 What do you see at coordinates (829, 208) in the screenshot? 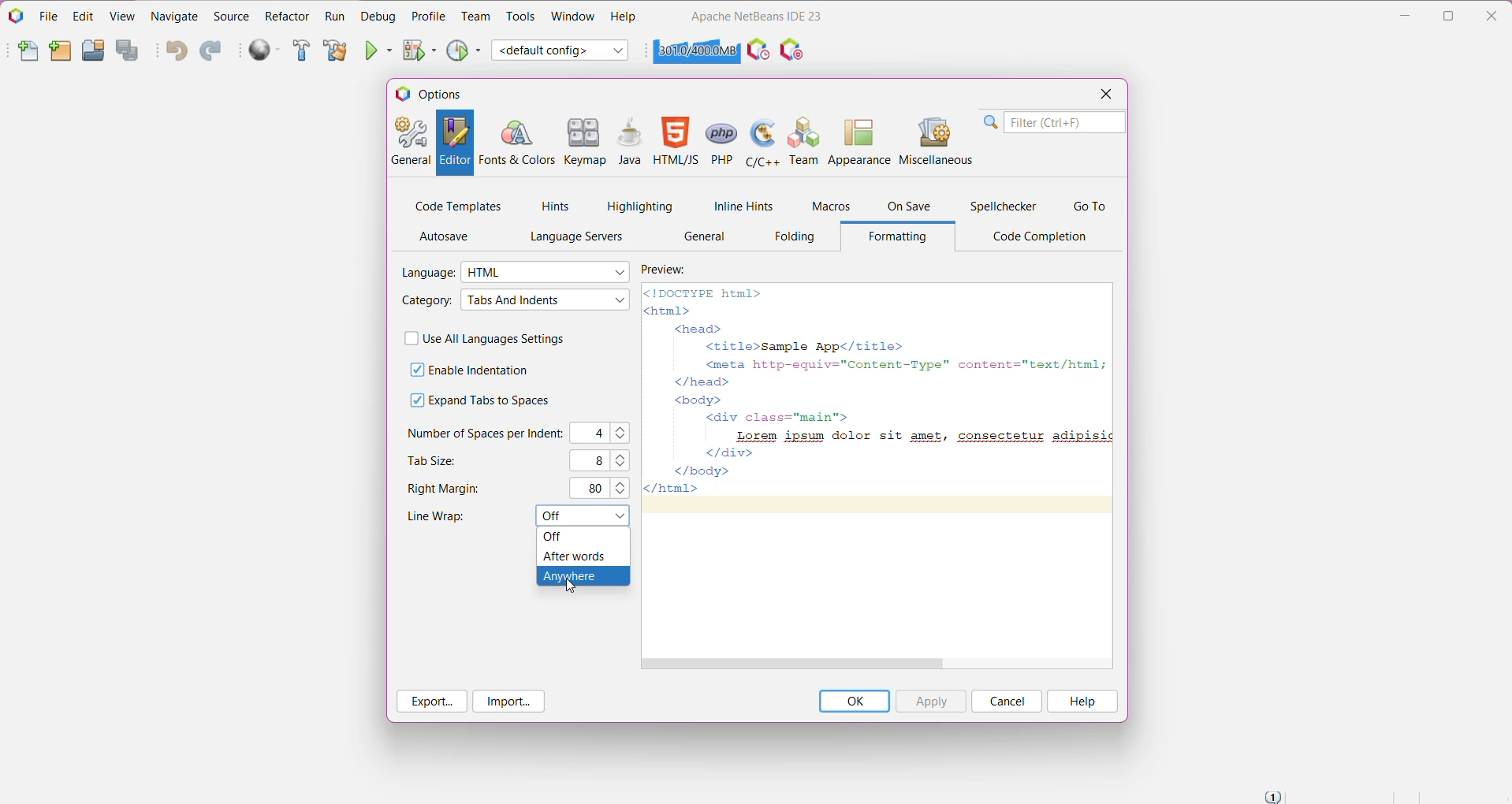
I see `Macros` at bounding box center [829, 208].